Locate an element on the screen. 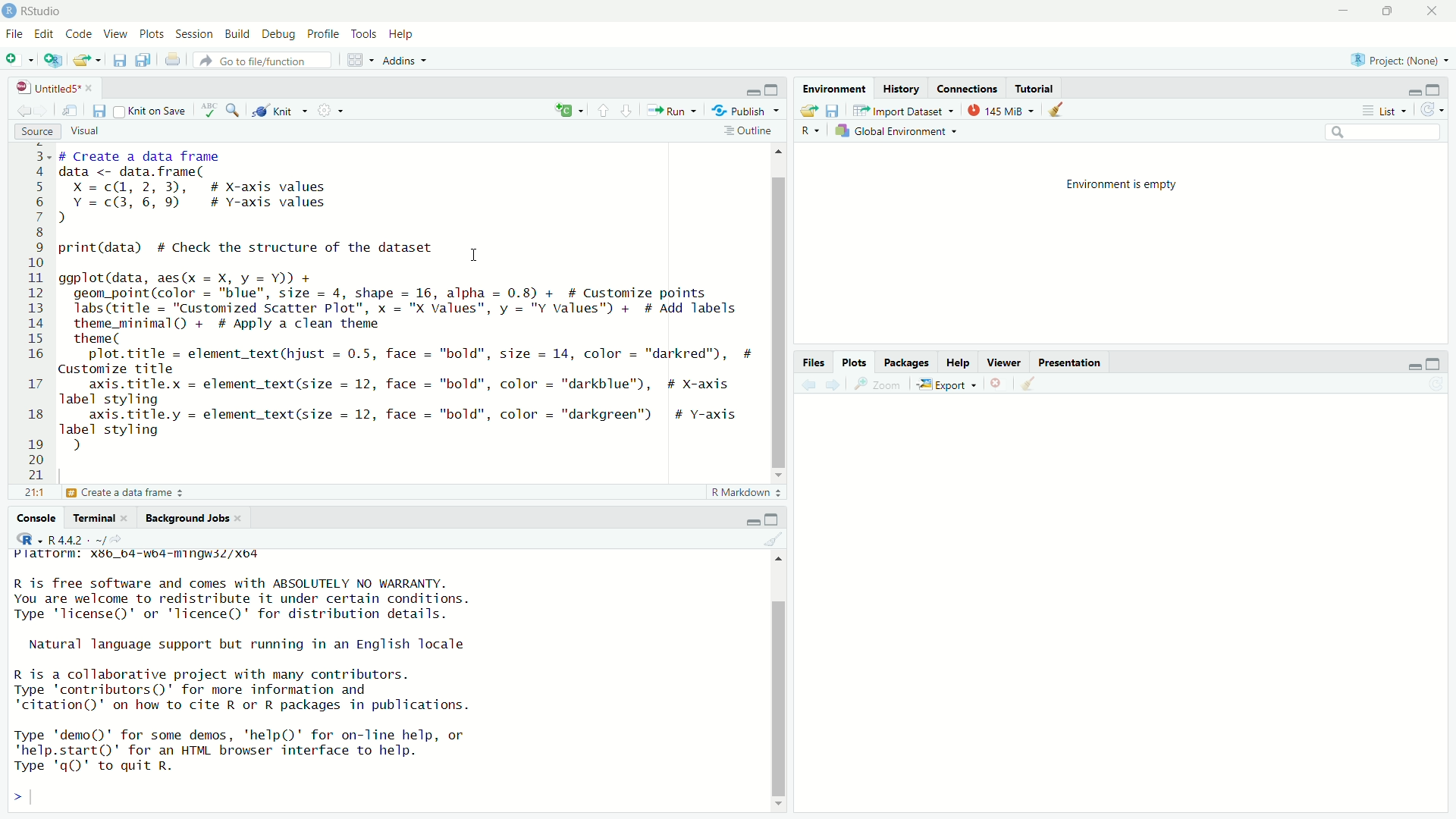 The image size is (1456, 819). Save is located at coordinates (99, 111).